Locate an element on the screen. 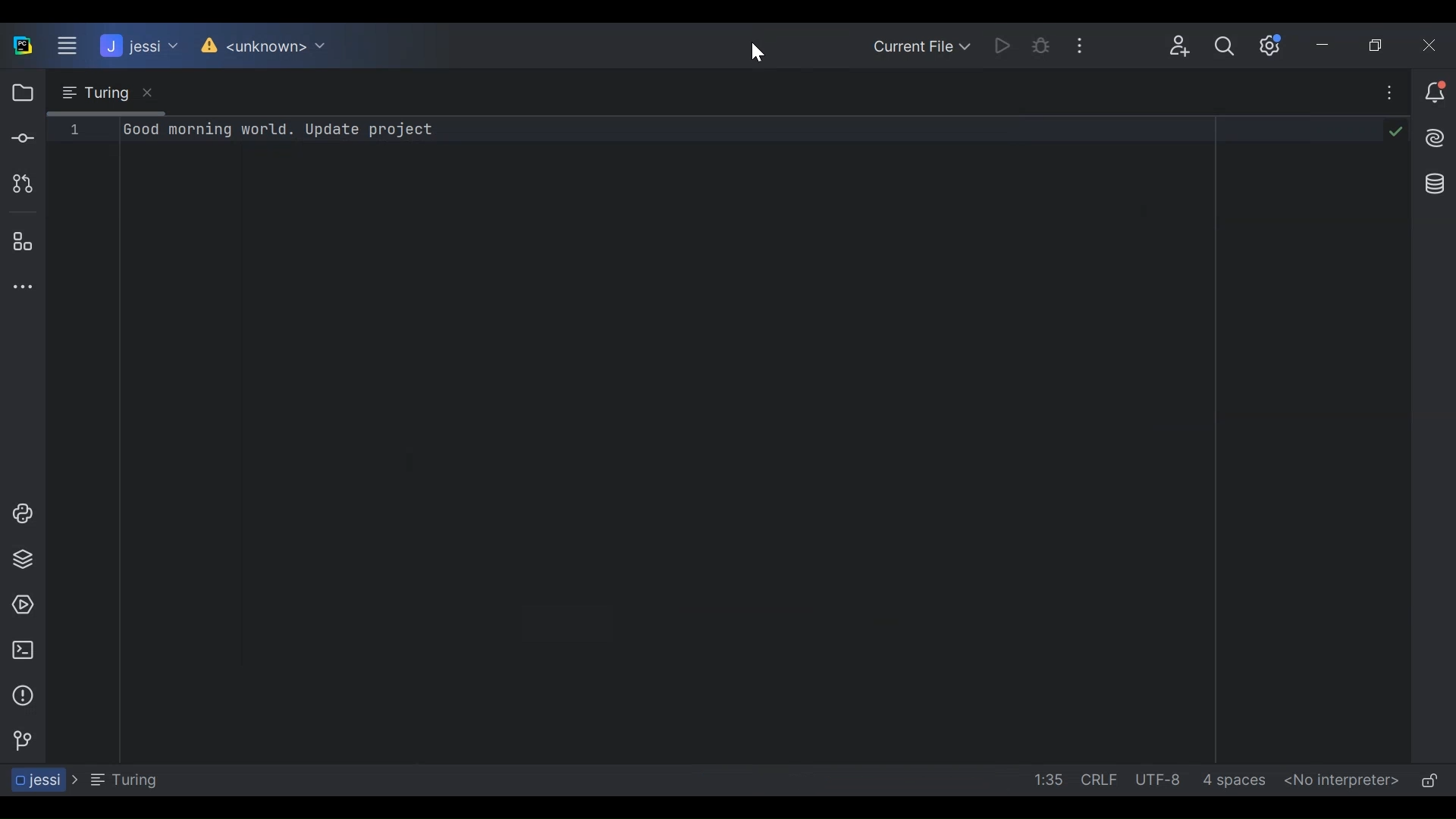 This screenshot has height=819, width=1456. Turing is located at coordinates (123, 780).